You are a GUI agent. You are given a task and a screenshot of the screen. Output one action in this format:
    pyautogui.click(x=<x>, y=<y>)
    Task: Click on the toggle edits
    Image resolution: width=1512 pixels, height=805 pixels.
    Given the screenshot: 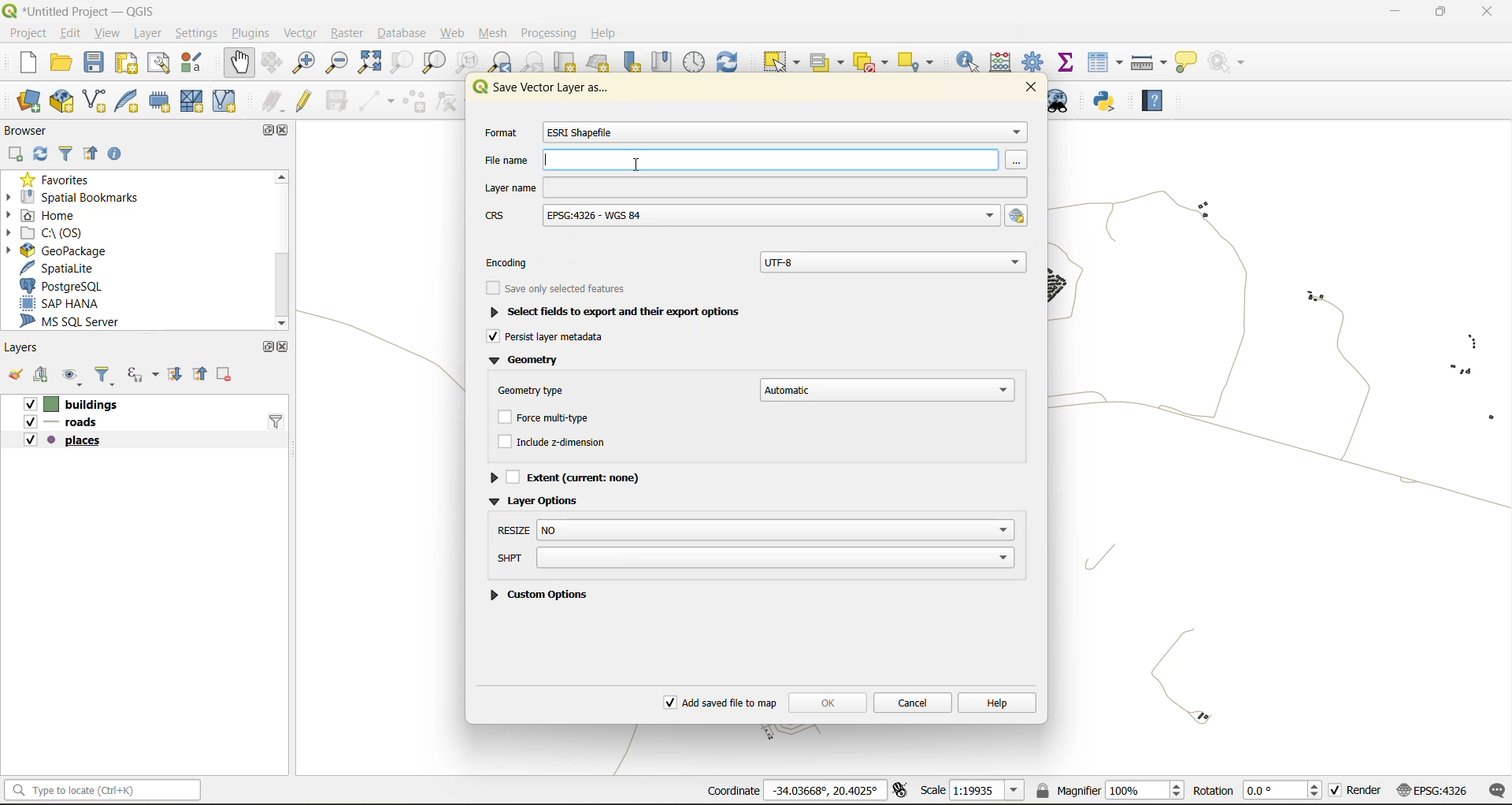 What is the action you would take?
    pyautogui.click(x=309, y=99)
    